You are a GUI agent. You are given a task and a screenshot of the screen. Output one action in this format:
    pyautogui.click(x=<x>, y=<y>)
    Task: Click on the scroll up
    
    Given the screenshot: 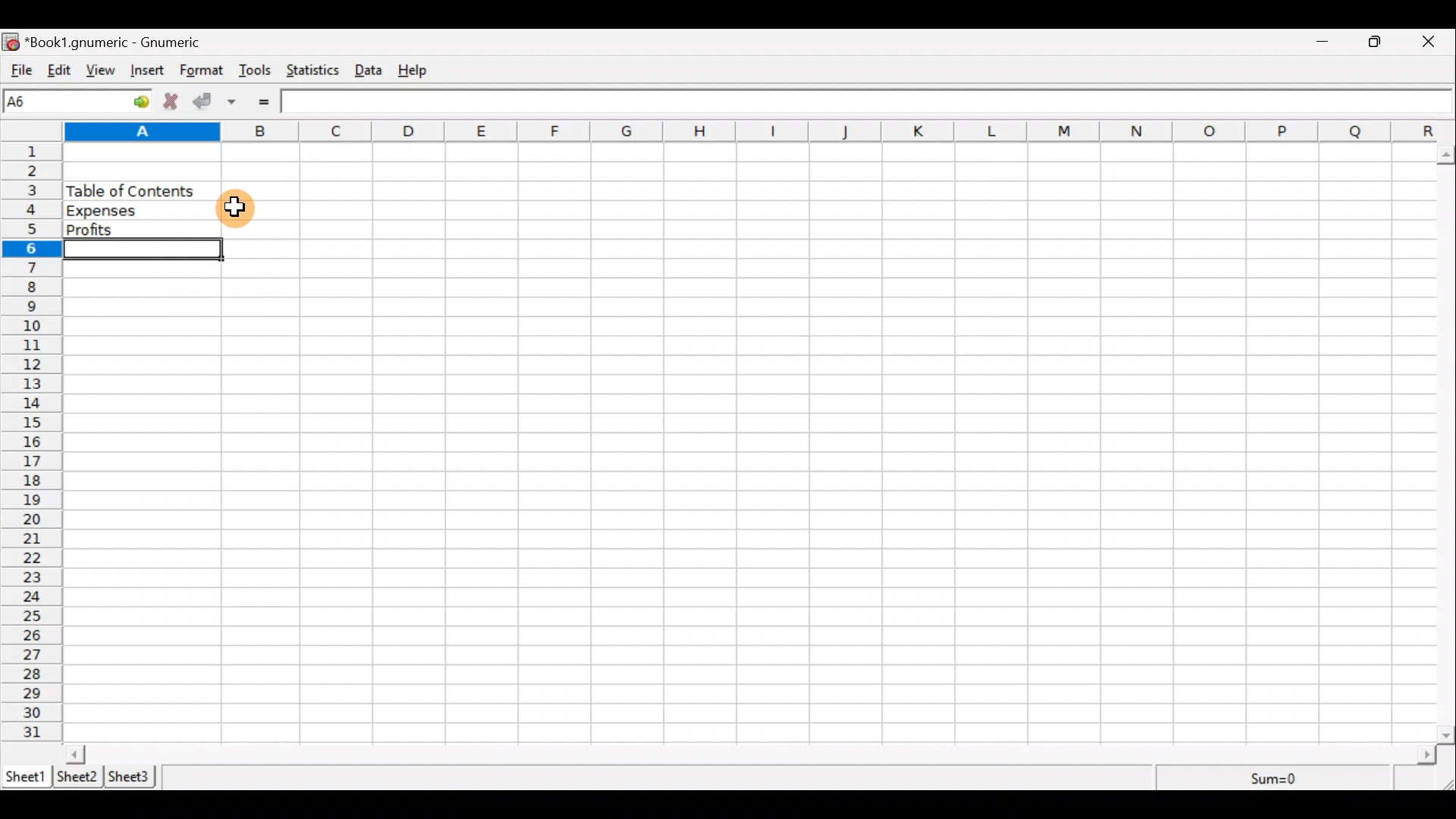 What is the action you would take?
    pyautogui.click(x=1447, y=155)
    